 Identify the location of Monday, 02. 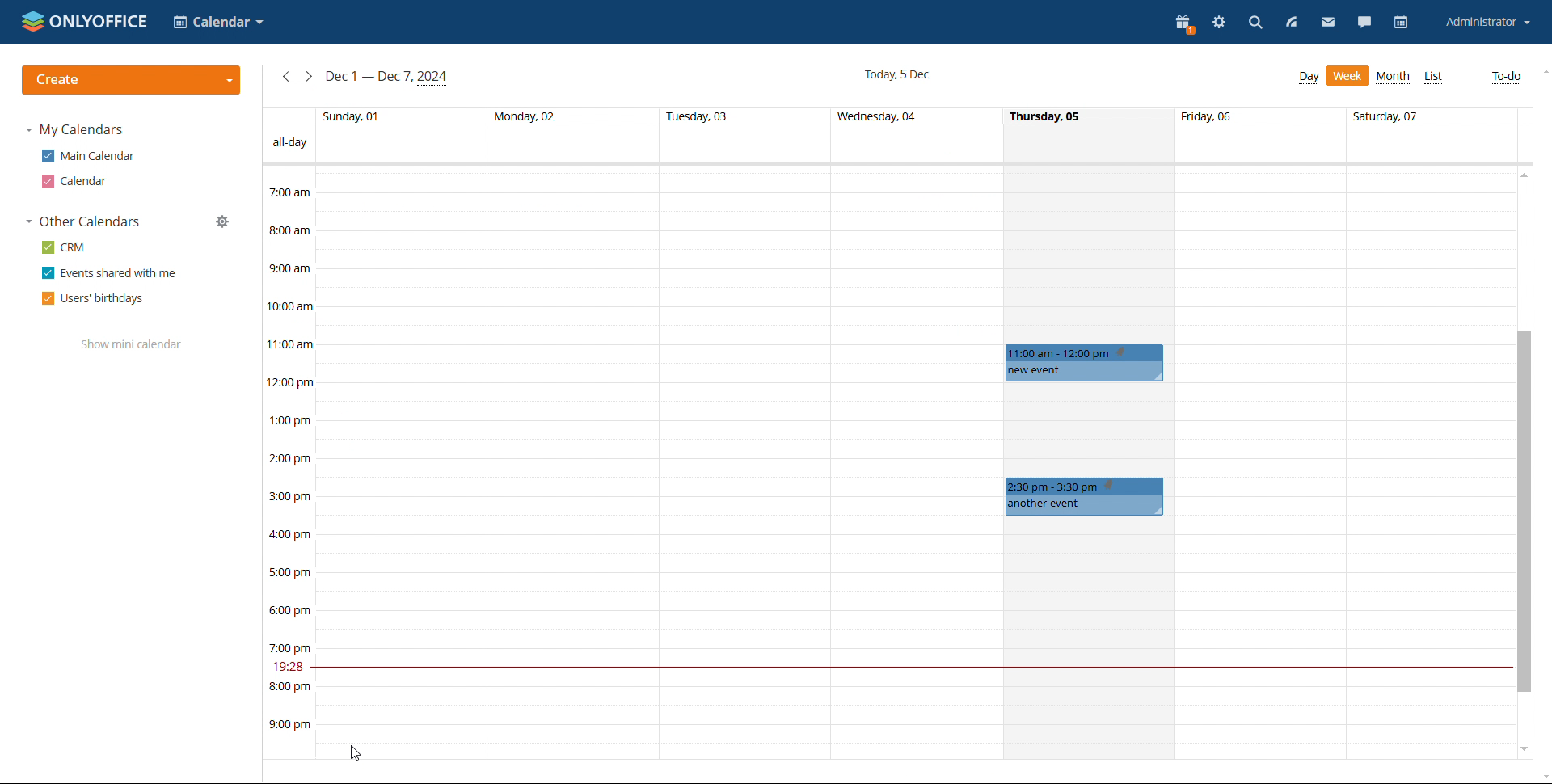
(542, 116).